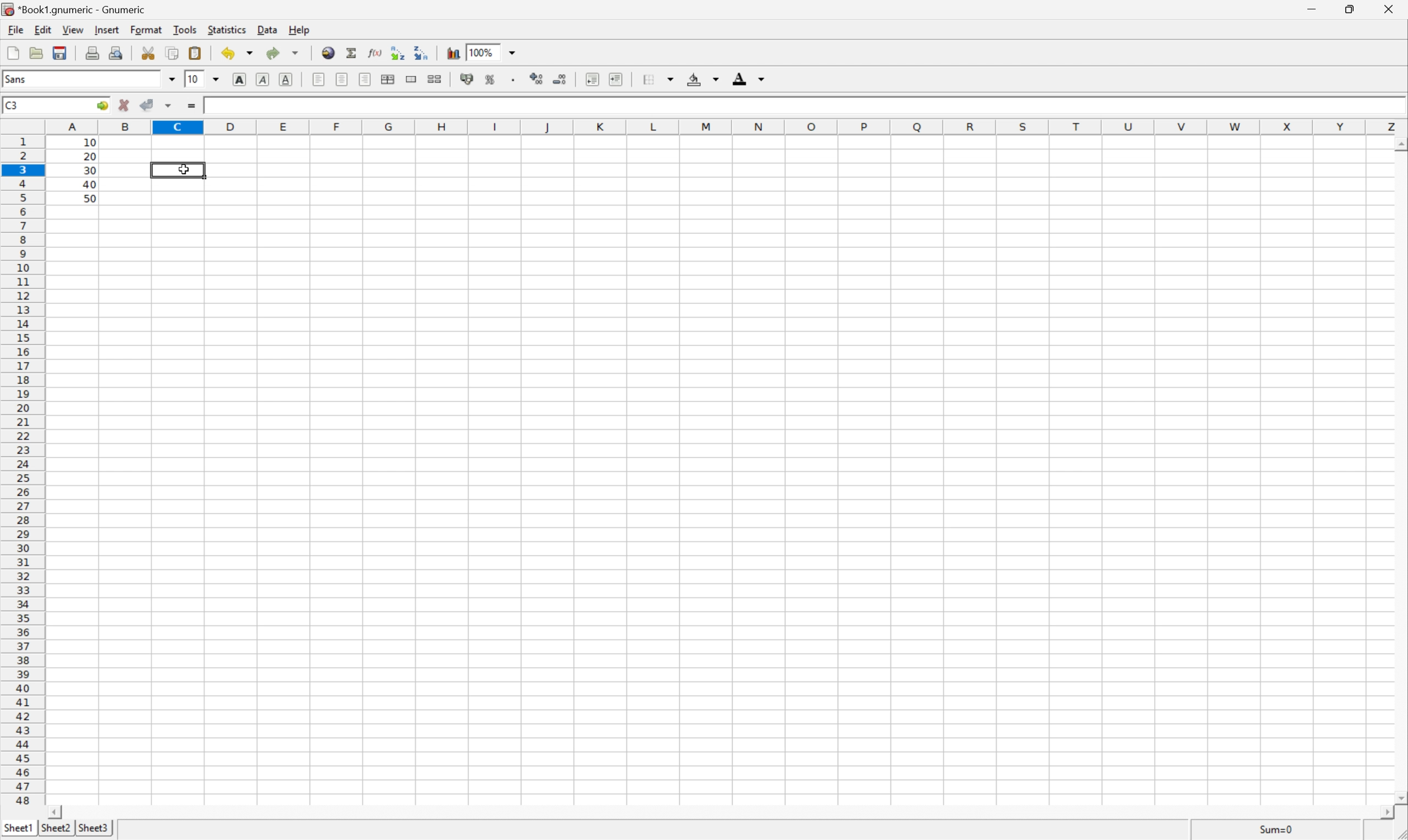  I want to click on Accept change in multiple cells, so click(168, 106).